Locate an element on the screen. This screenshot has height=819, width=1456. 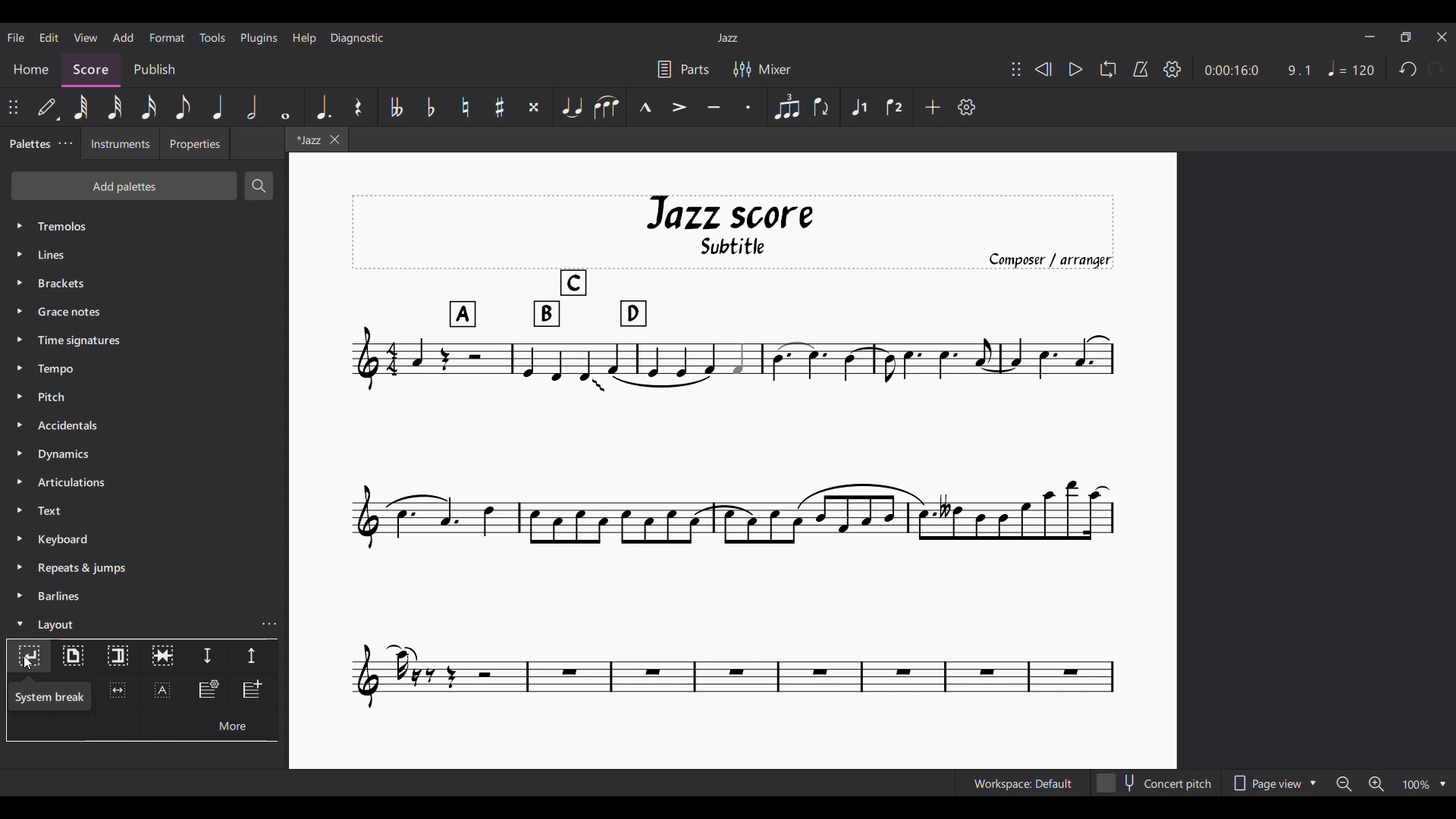
64th note is located at coordinates (83, 108).